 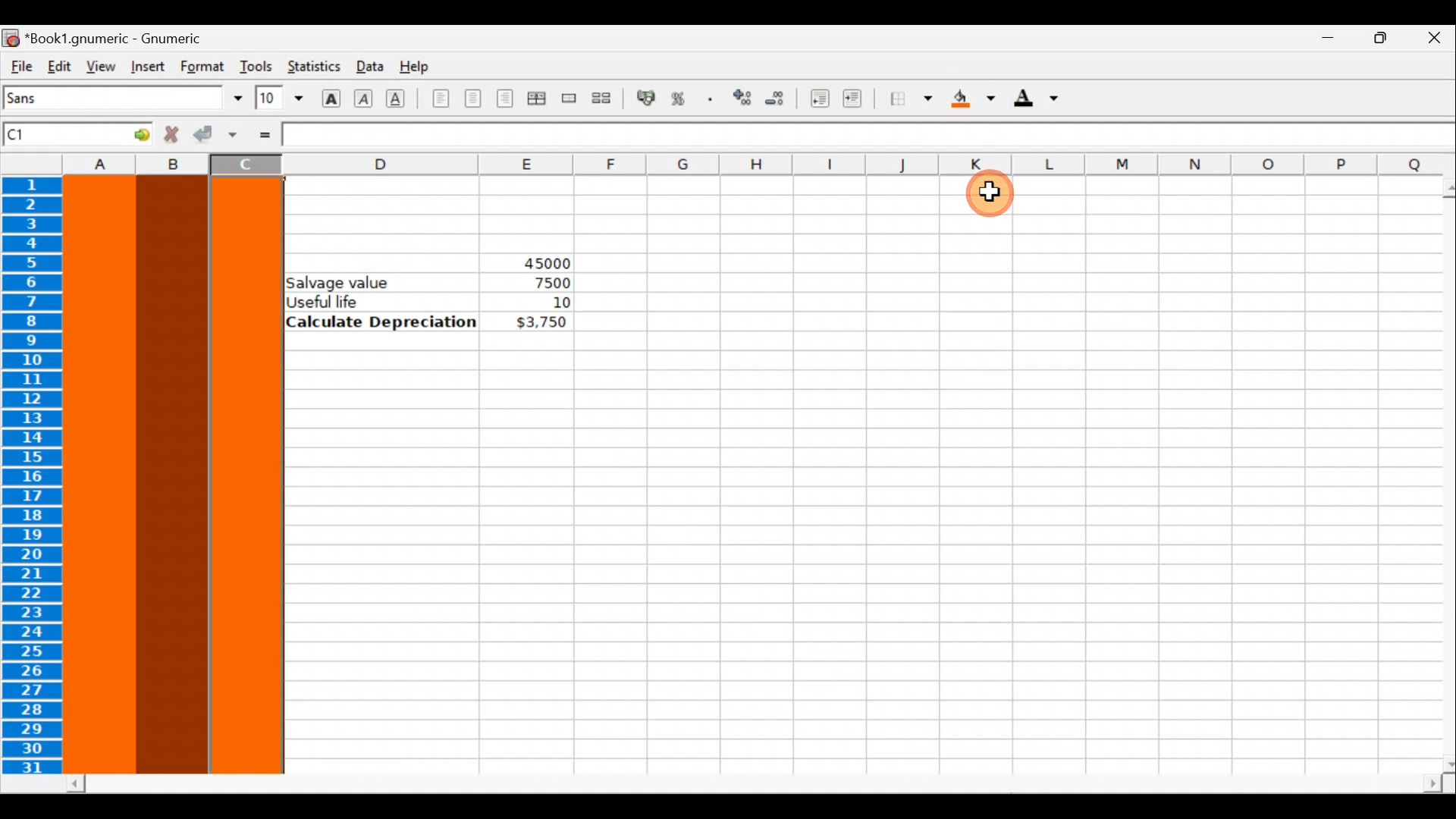 What do you see at coordinates (1438, 475) in the screenshot?
I see `Scroll bar` at bounding box center [1438, 475].